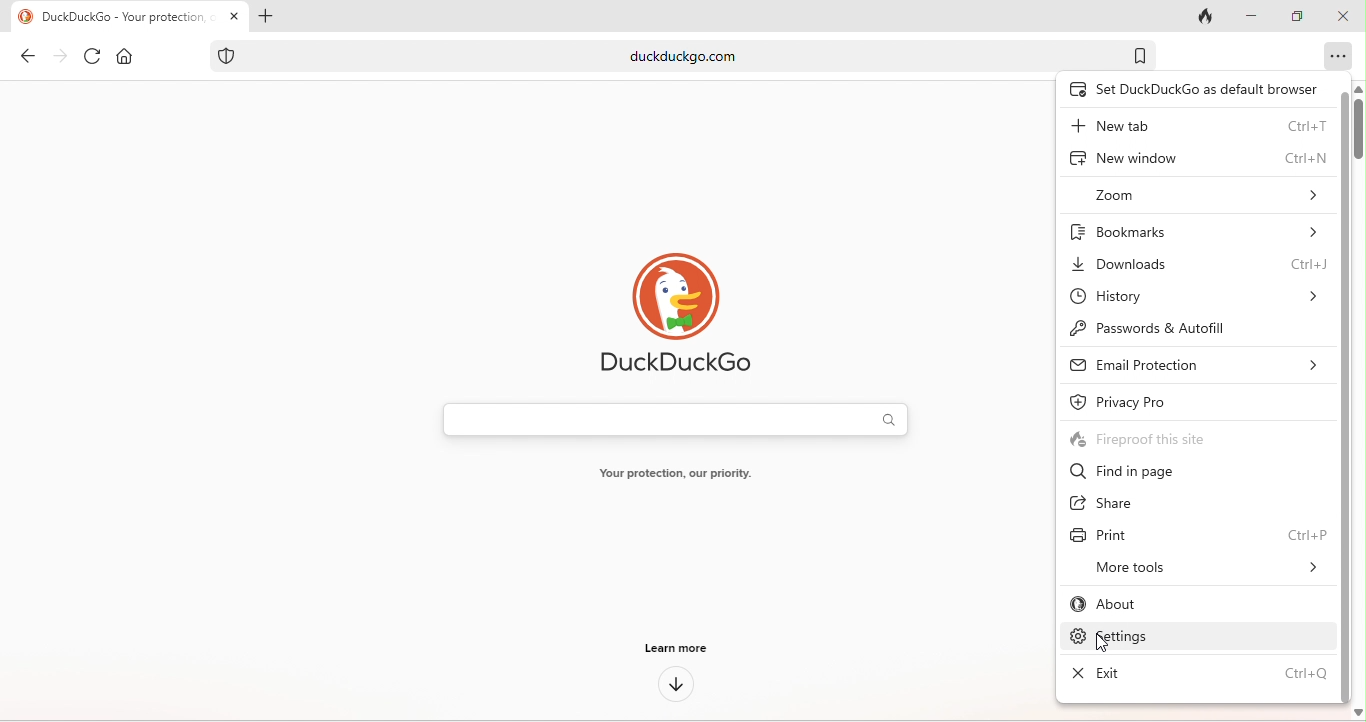 The image size is (1366, 722). What do you see at coordinates (1357, 89) in the screenshot?
I see `scroll up` at bounding box center [1357, 89].